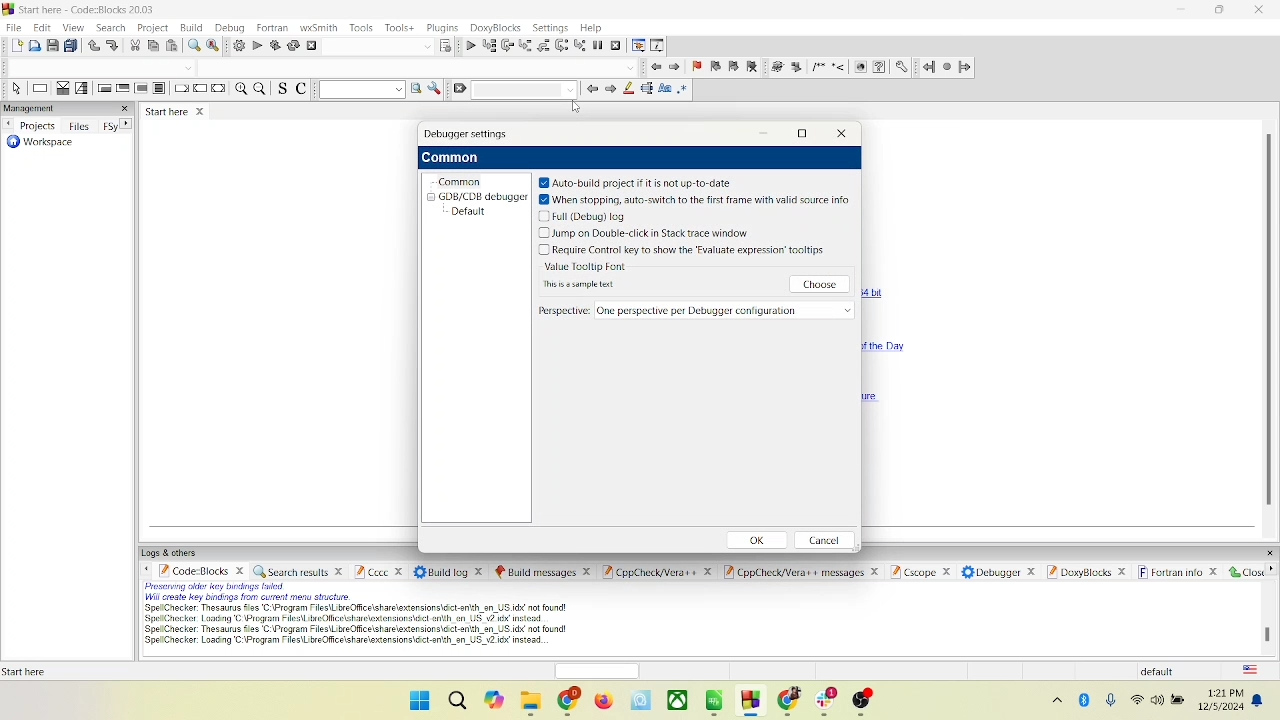 The width and height of the screenshot is (1280, 720). What do you see at coordinates (544, 46) in the screenshot?
I see `step out` at bounding box center [544, 46].